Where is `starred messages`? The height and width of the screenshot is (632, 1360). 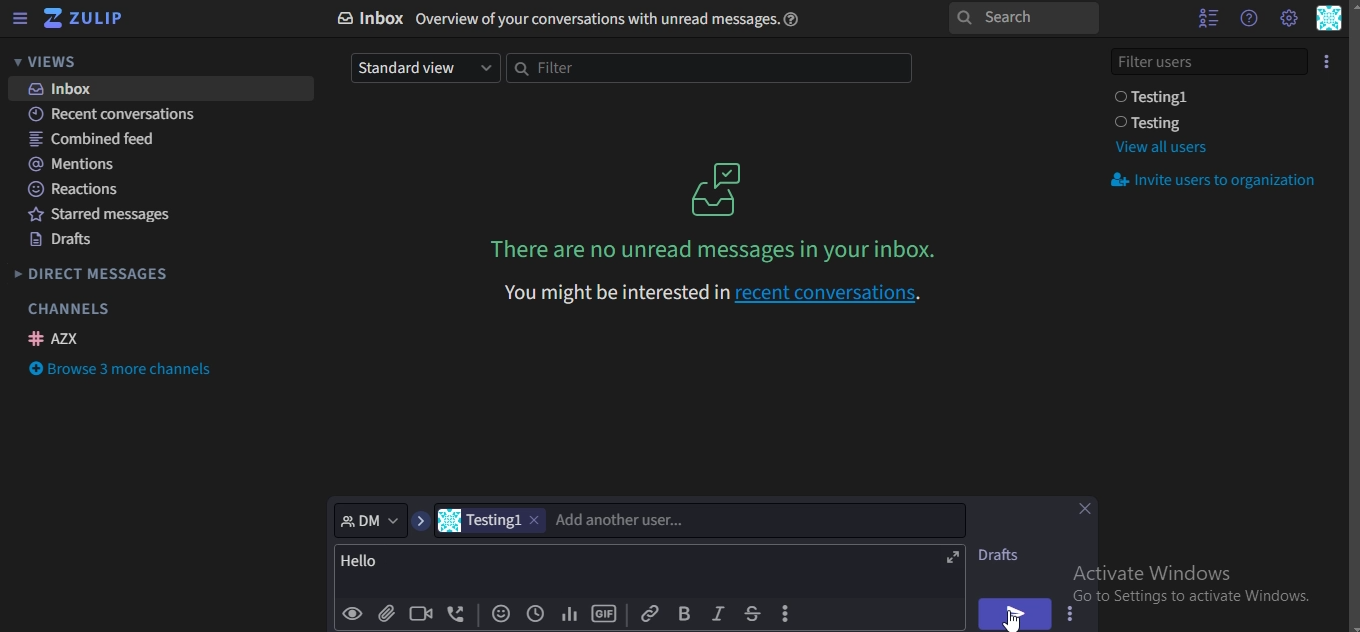 starred messages is located at coordinates (108, 217).